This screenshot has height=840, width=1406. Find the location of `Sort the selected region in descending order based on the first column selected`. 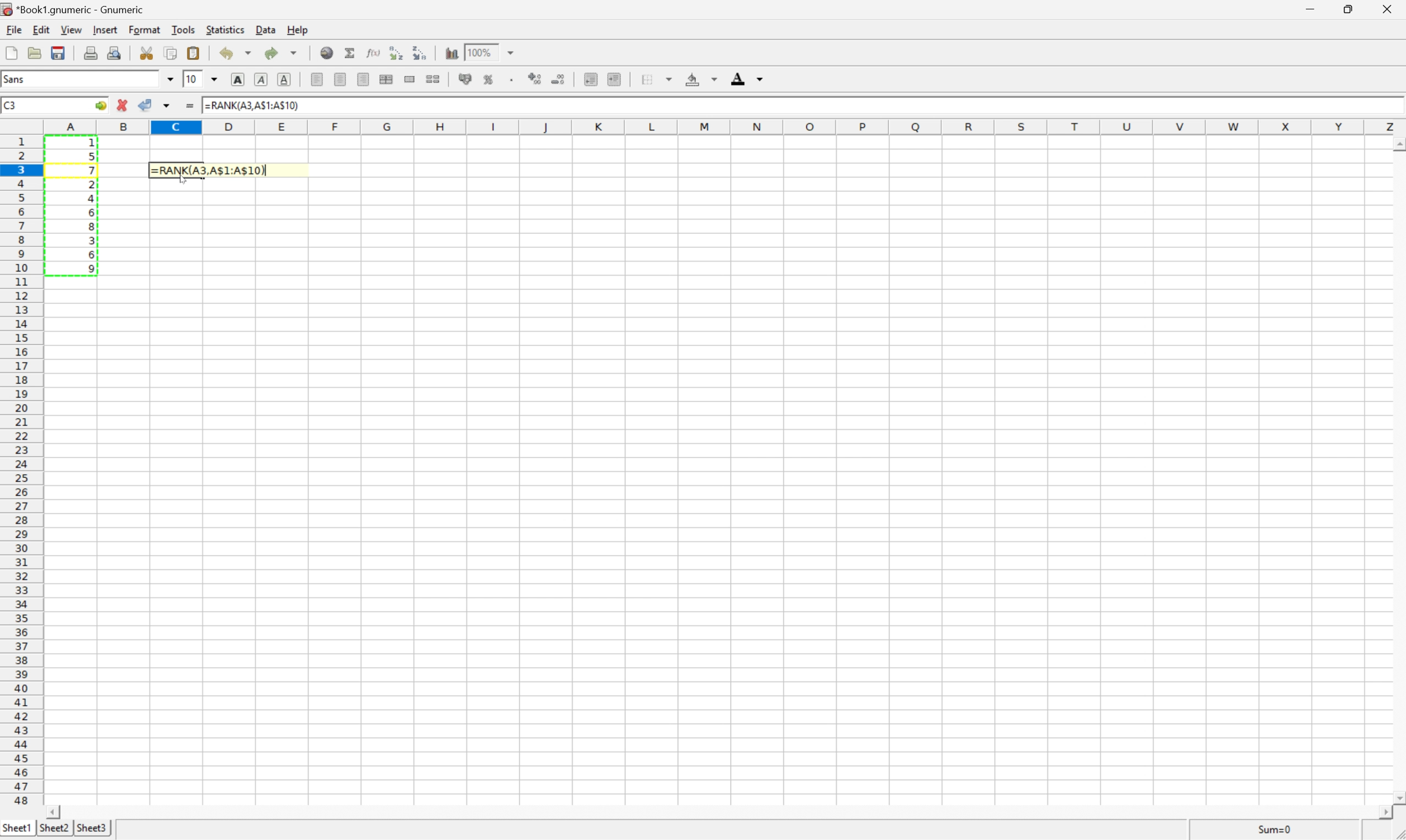

Sort the selected region in descending order based on the first column selected is located at coordinates (421, 54).